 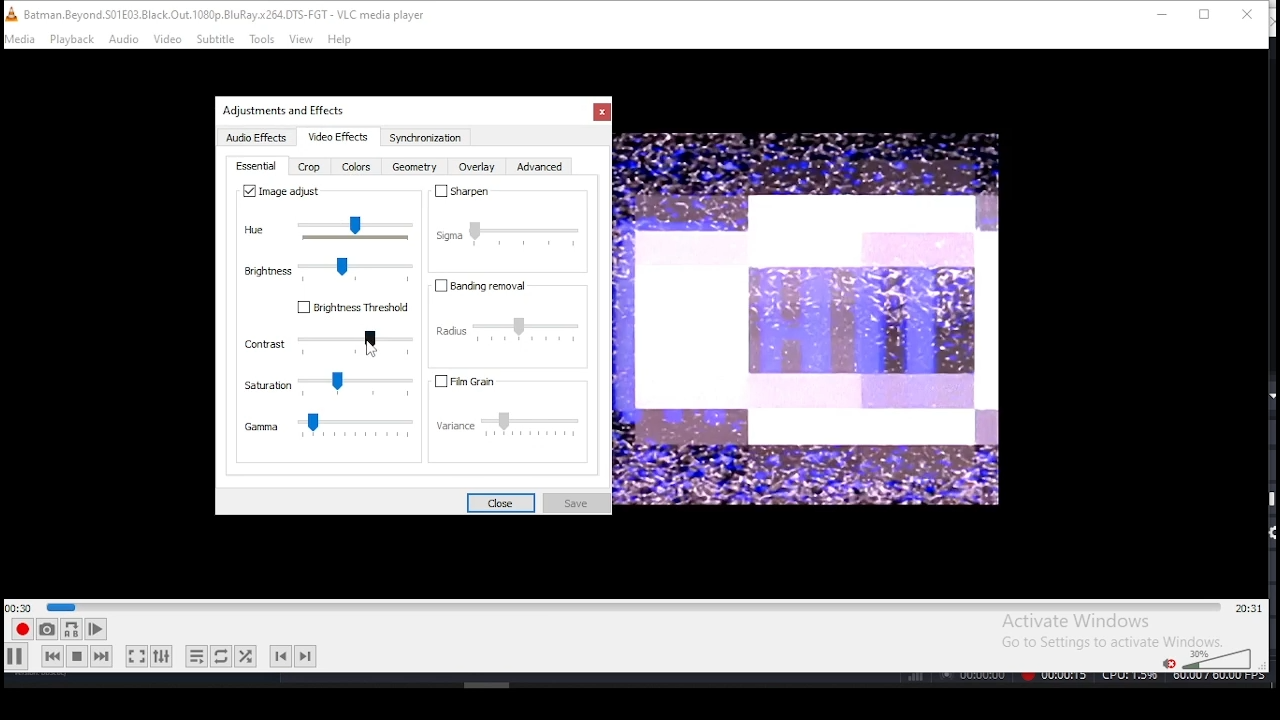 I want to click on radius settings slider, so click(x=513, y=329).